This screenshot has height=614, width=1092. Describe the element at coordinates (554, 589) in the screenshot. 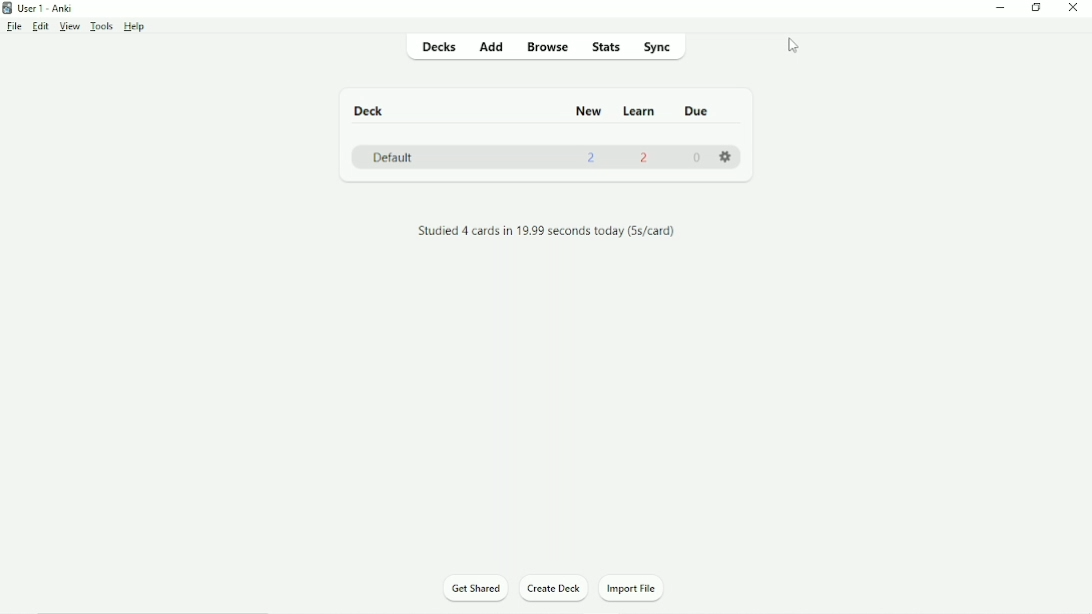

I see `Create Deck` at that location.